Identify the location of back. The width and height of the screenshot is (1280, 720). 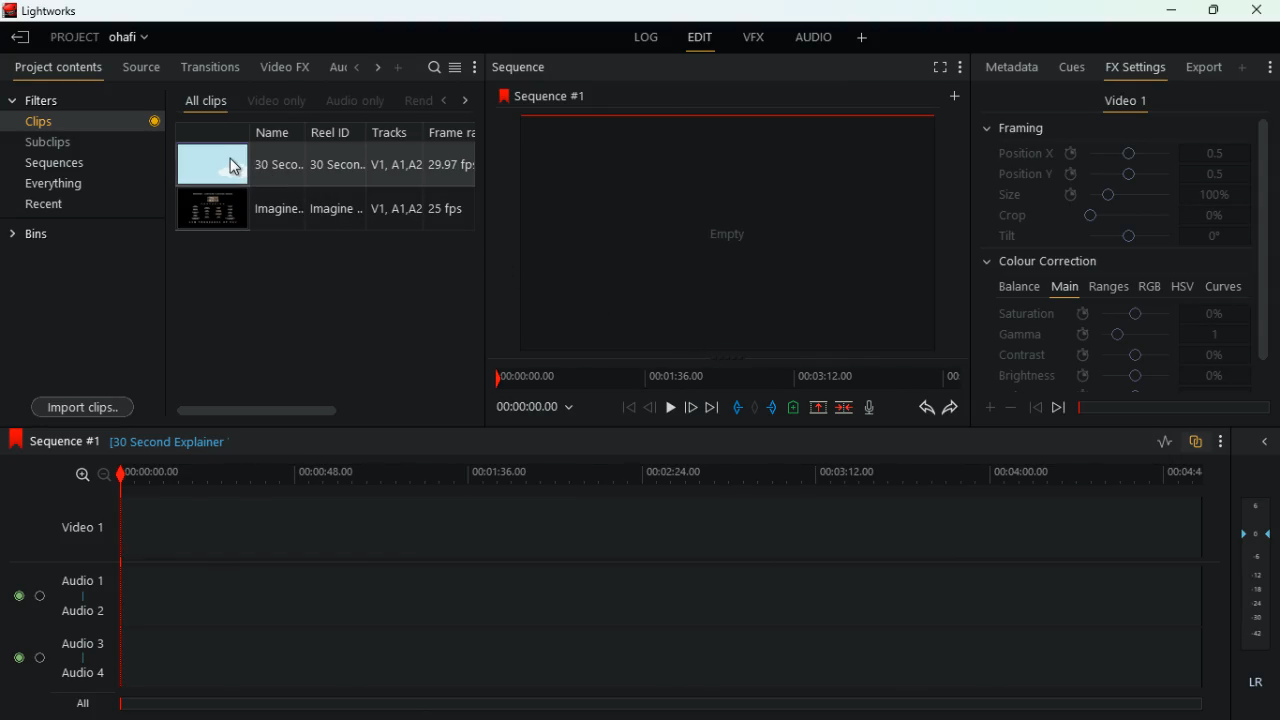
(355, 67).